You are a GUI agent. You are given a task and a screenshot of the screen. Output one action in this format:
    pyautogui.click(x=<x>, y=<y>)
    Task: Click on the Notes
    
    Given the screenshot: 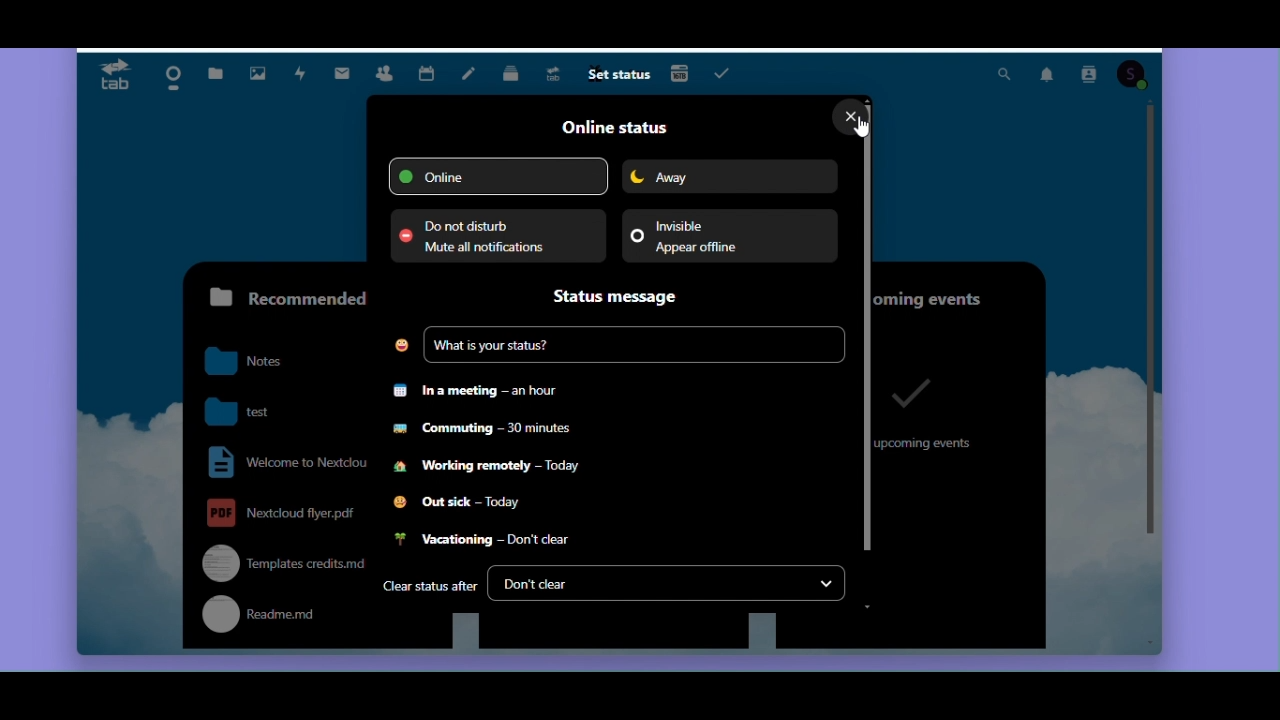 What is the action you would take?
    pyautogui.click(x=470, y=77)
    